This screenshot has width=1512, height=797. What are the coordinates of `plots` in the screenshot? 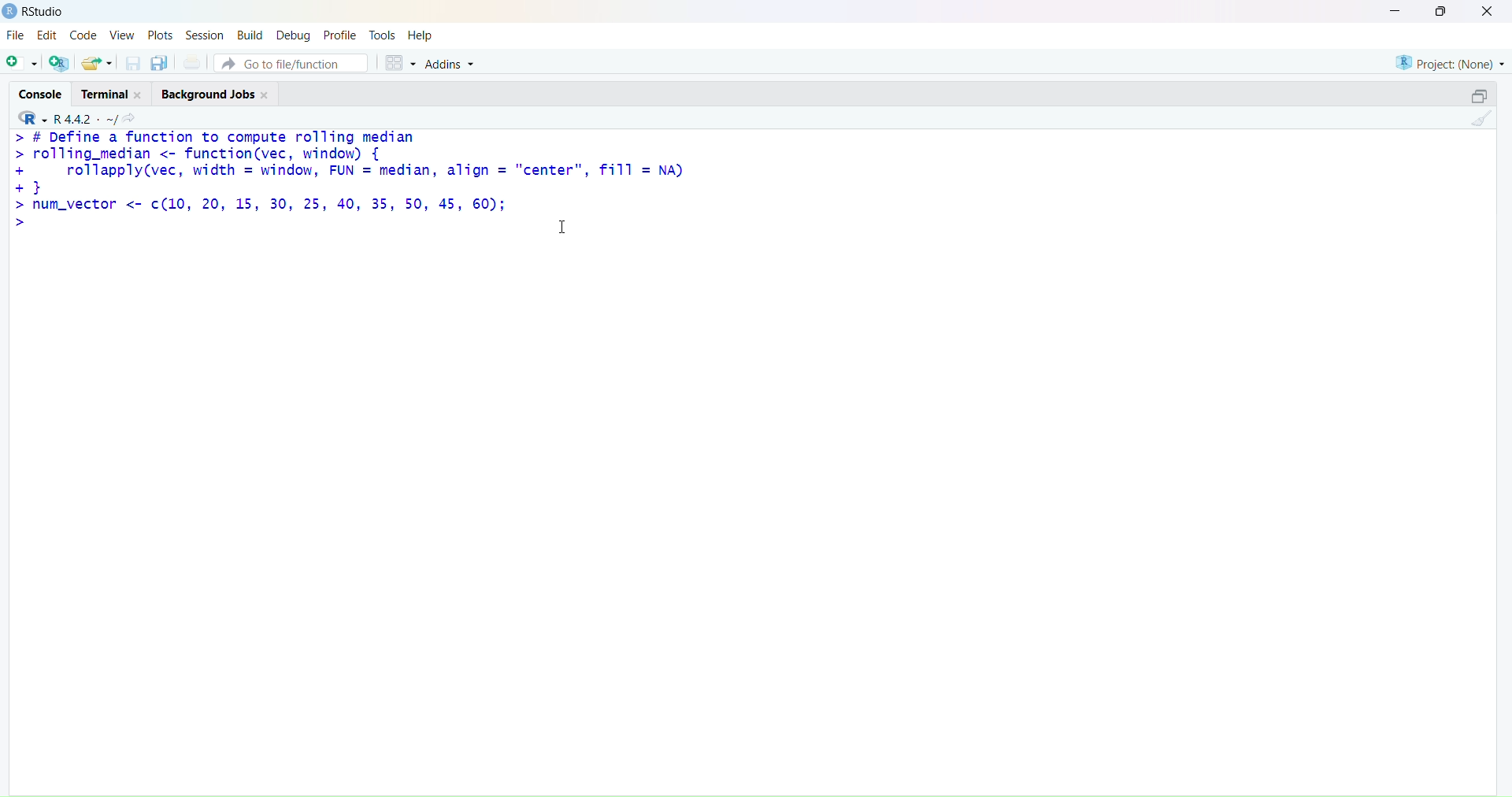 It's located at (162, 35).